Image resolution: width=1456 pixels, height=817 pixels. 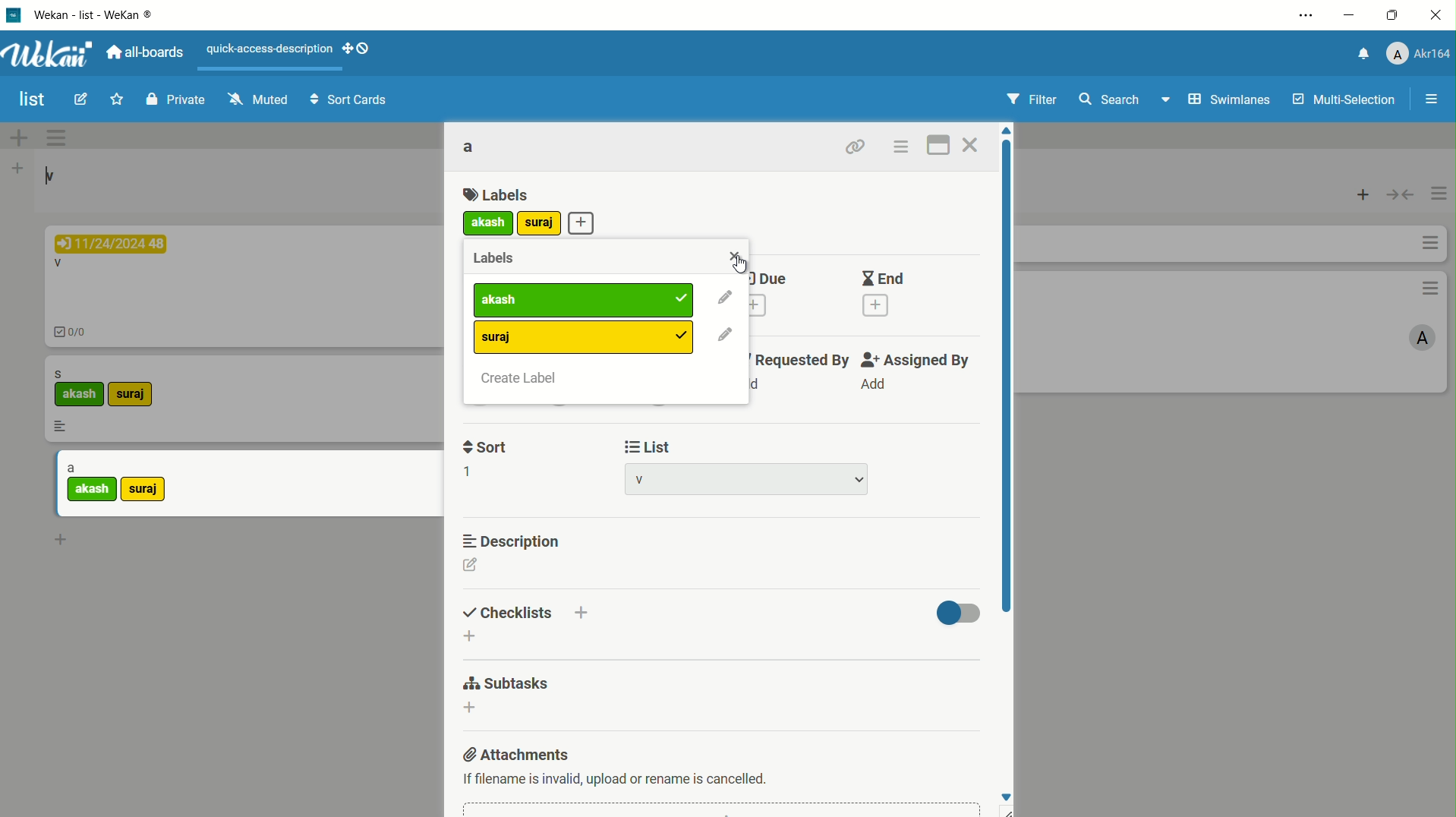 What do you see at coordinates (487, 445) in the screenshot?
I see `sort` at bounding box center [487, 445].